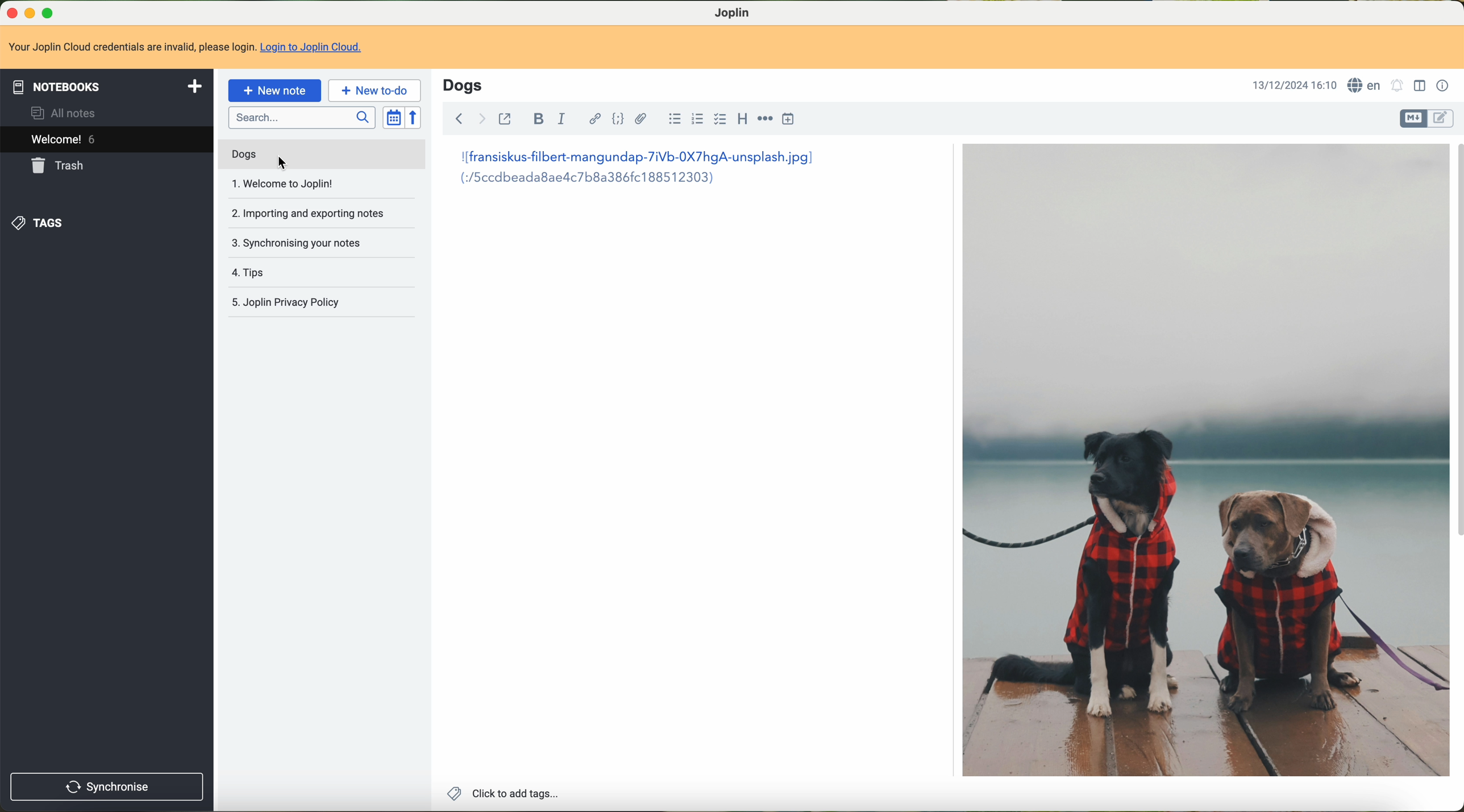  I want to click on synchronise, so click(107, 787).